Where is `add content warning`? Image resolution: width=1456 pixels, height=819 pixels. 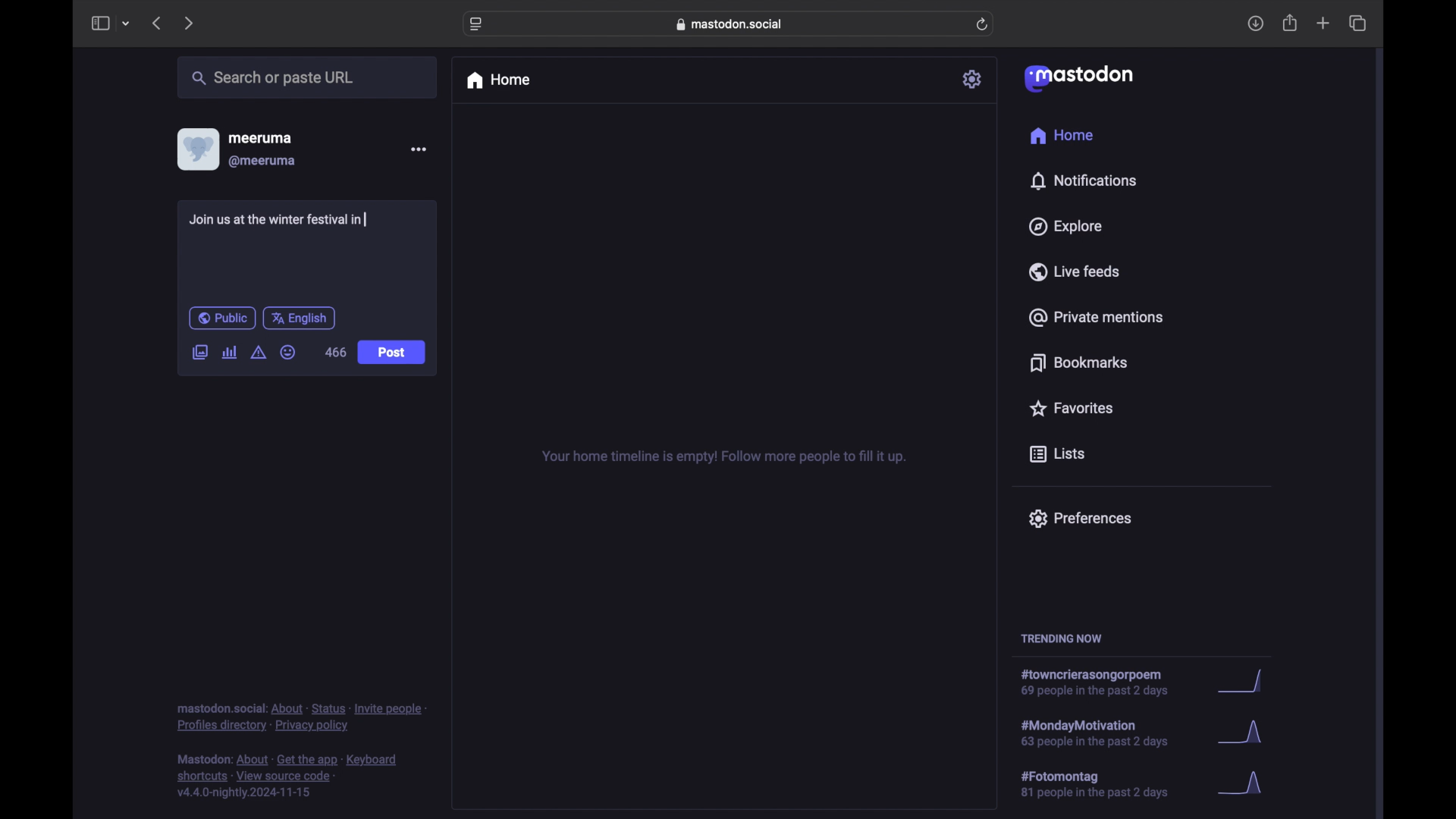 add content warning is located at coordinates (258, 353).